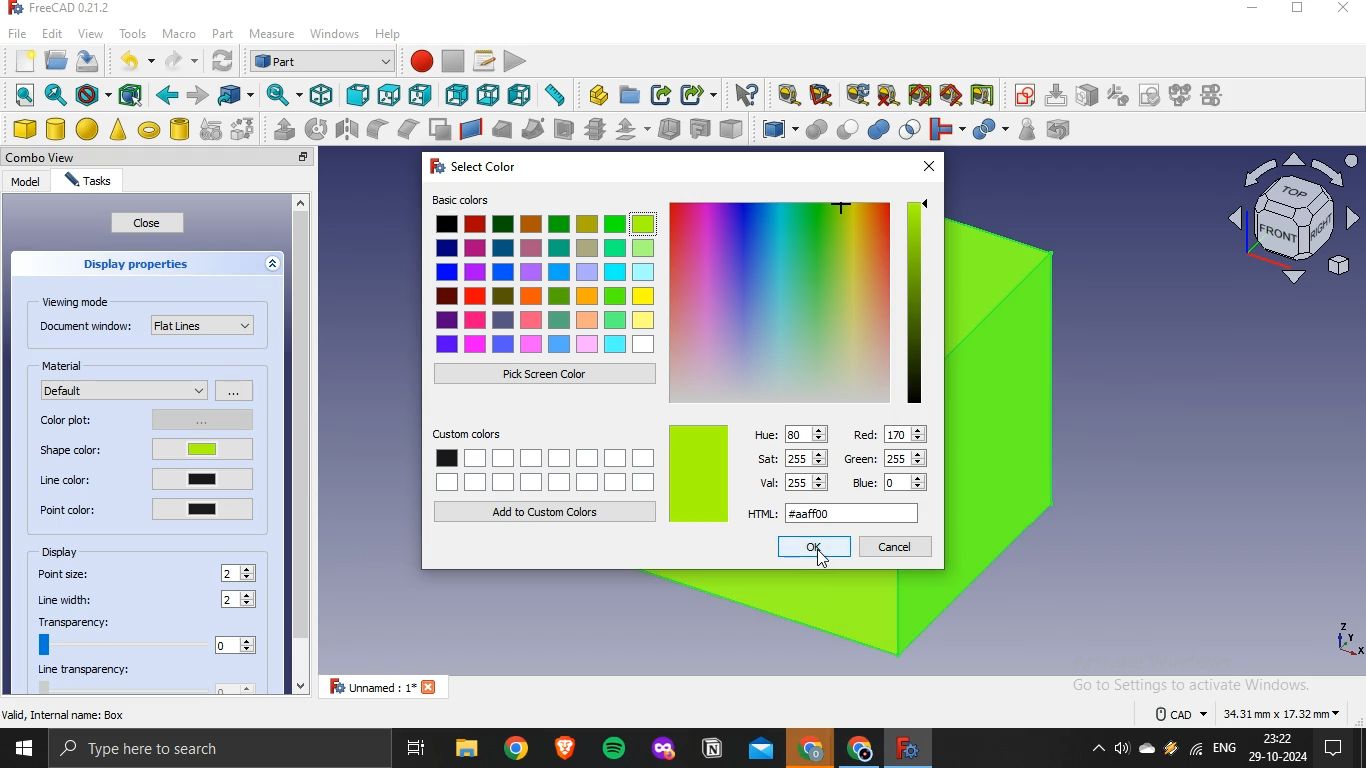  What do you see at coordinates (546, 275) in the screenshot?
I see `basic colors` at bounding box center [546, 275].